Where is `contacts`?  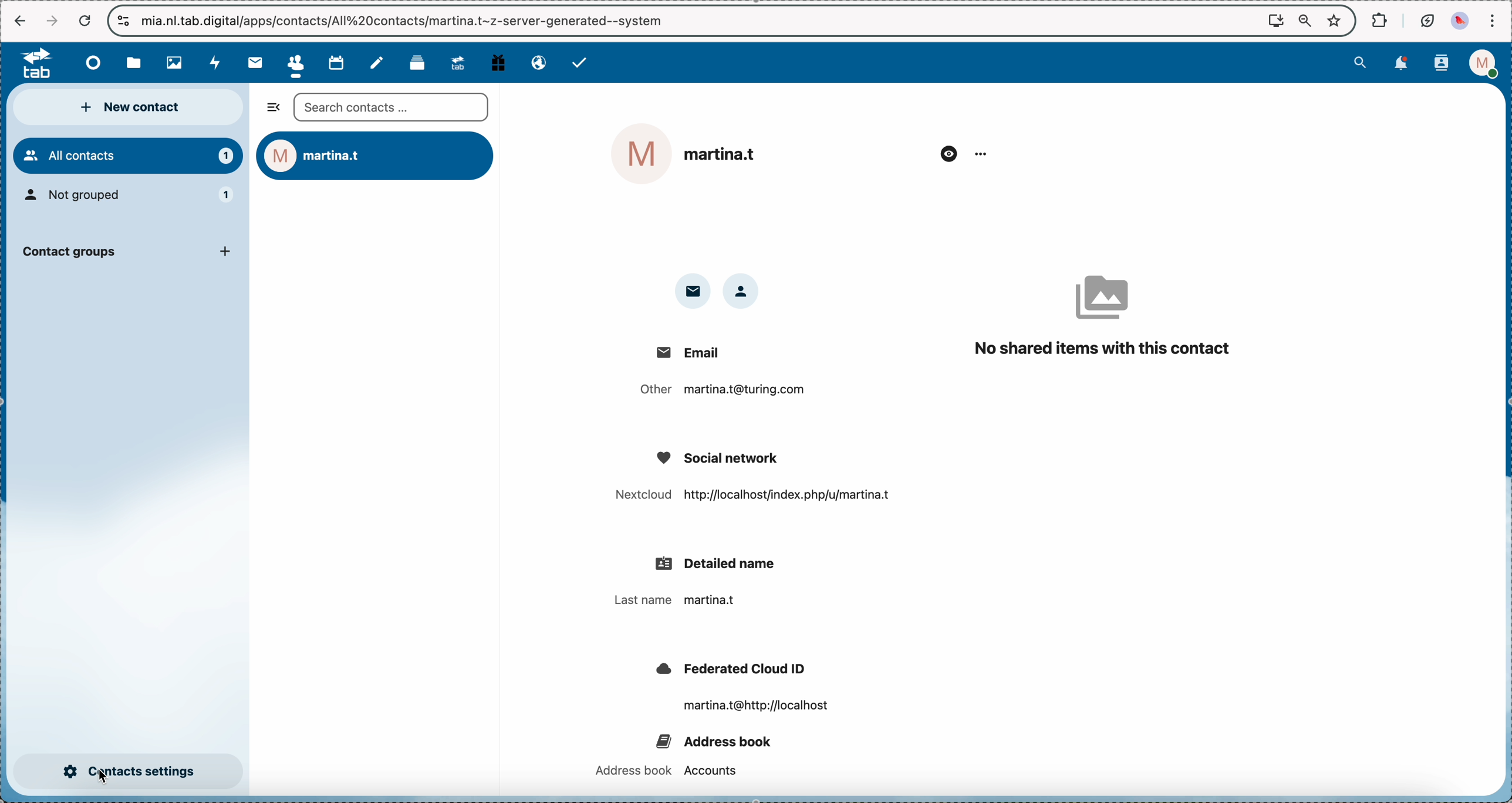 contacts is located at coordinates (1440, 64).